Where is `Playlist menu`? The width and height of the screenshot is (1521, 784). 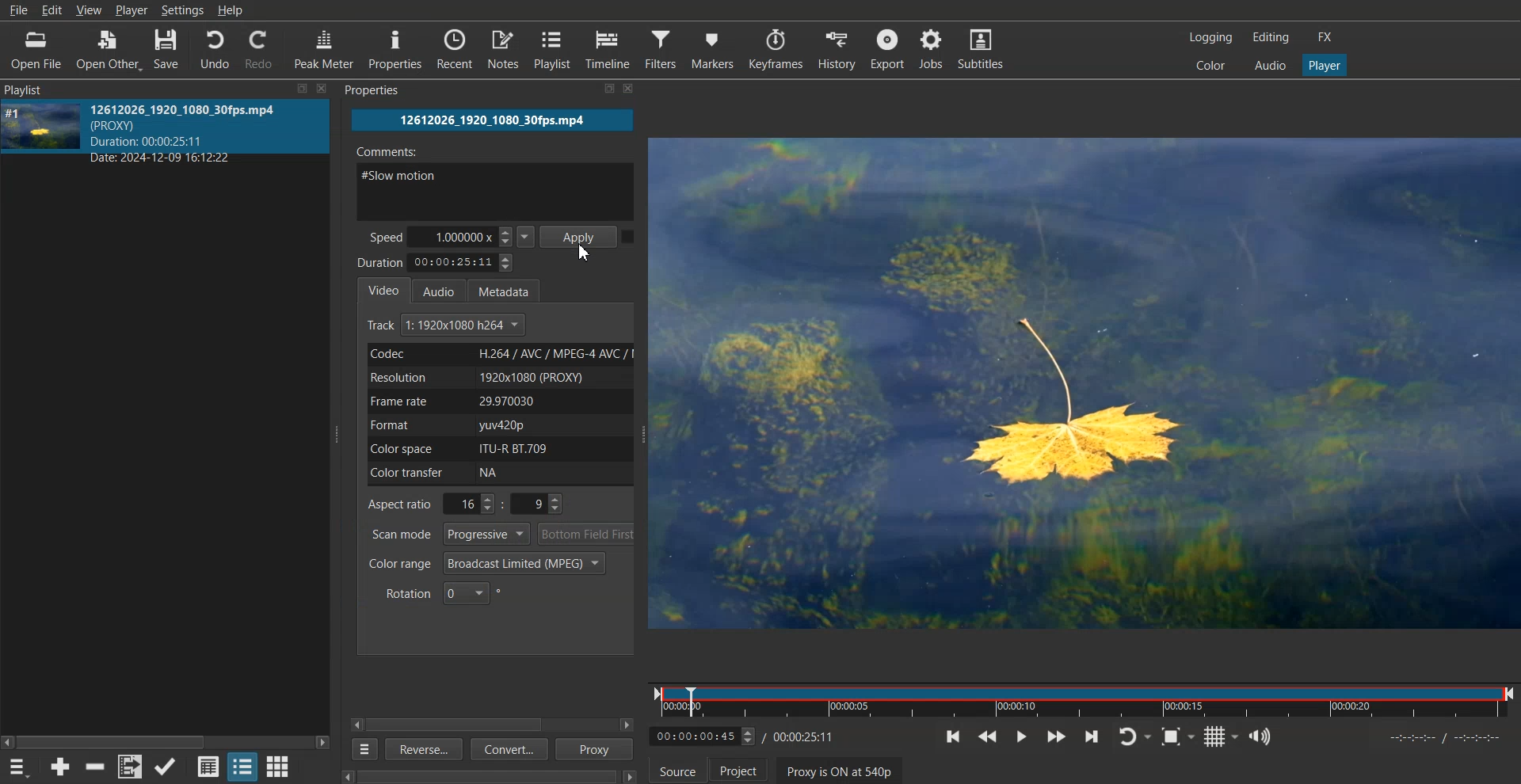
Playlist menu is located at coordinates (21, 767).